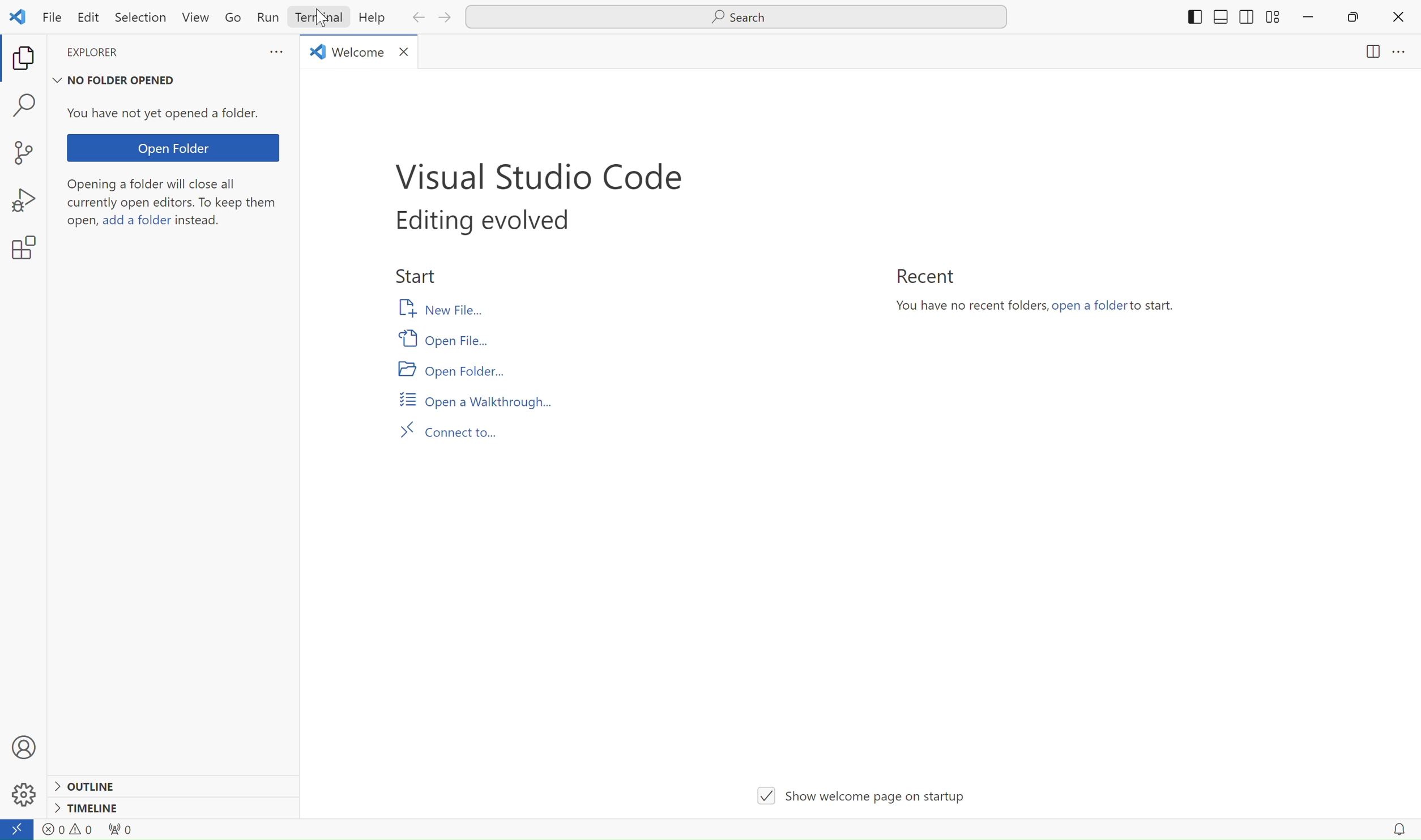 Image resolution: width=1421 pixels, height=840 pixels. Describe the element at coordinates (24, 196) in the screenshot. I see `bug` at that location.